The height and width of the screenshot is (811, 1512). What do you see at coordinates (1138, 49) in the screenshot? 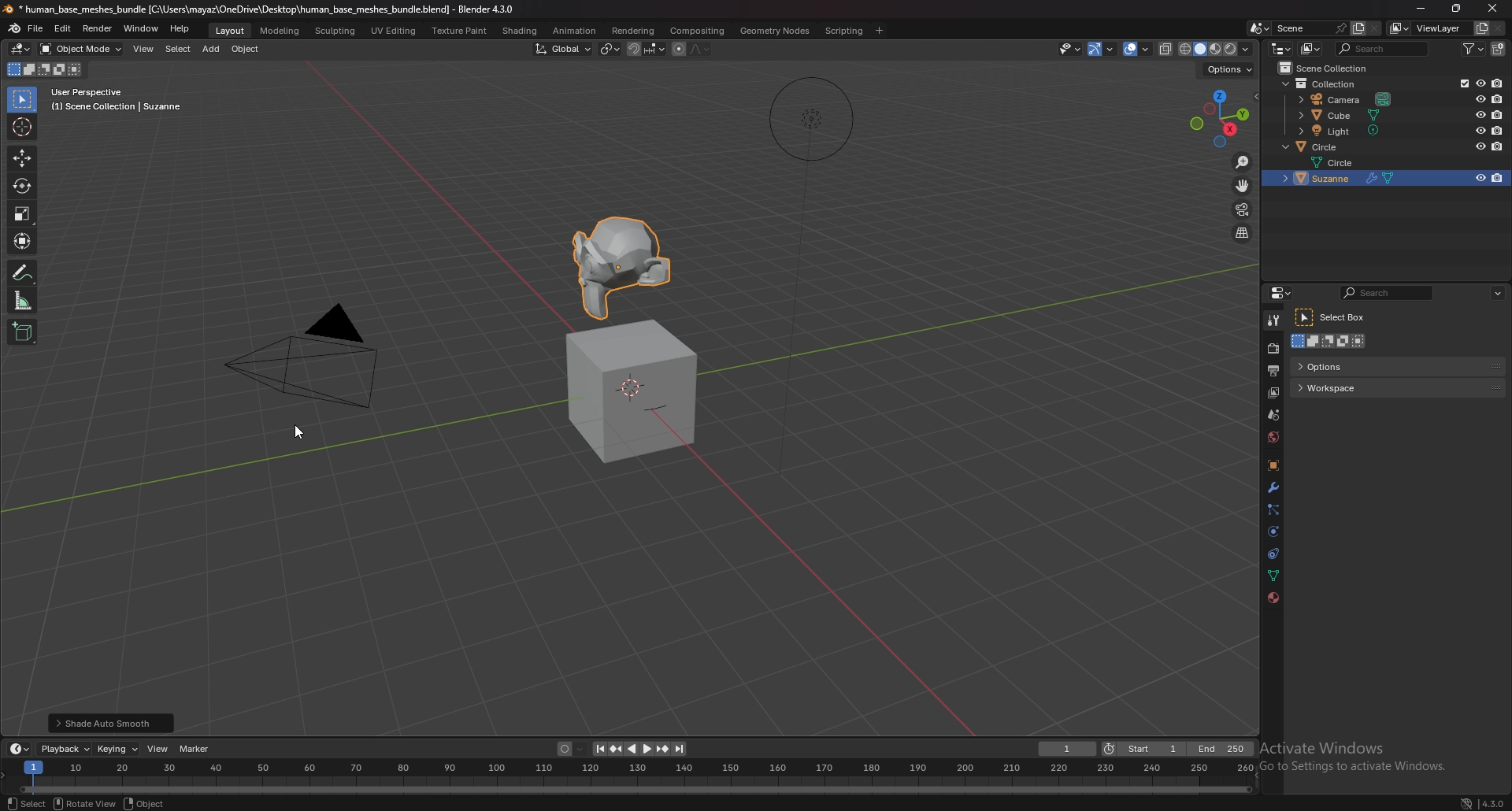
I see `overlays` at bounding box center [1138, 49].